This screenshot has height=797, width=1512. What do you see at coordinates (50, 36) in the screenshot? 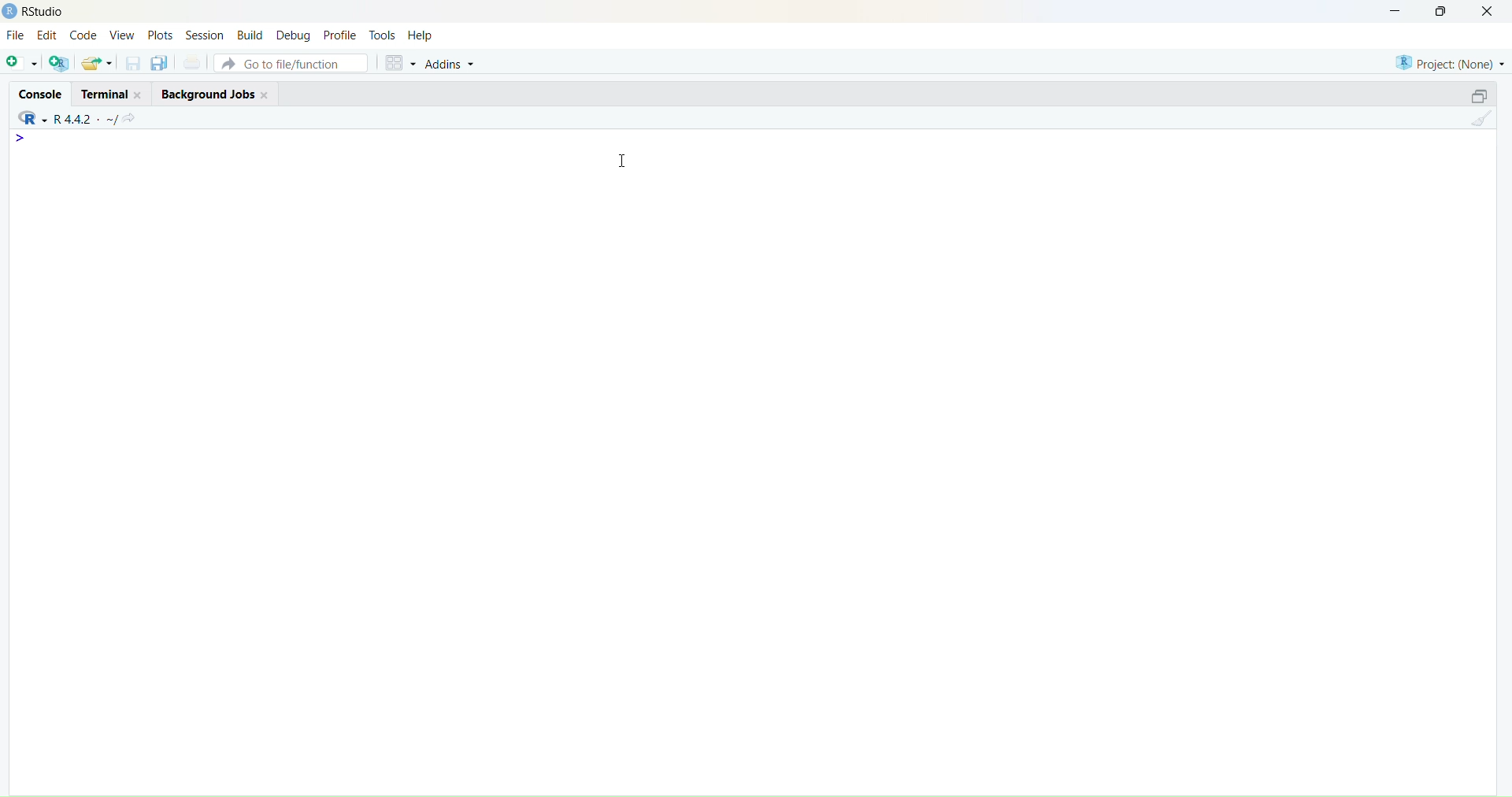
I see `Edit` at bounding box center [50, 36].